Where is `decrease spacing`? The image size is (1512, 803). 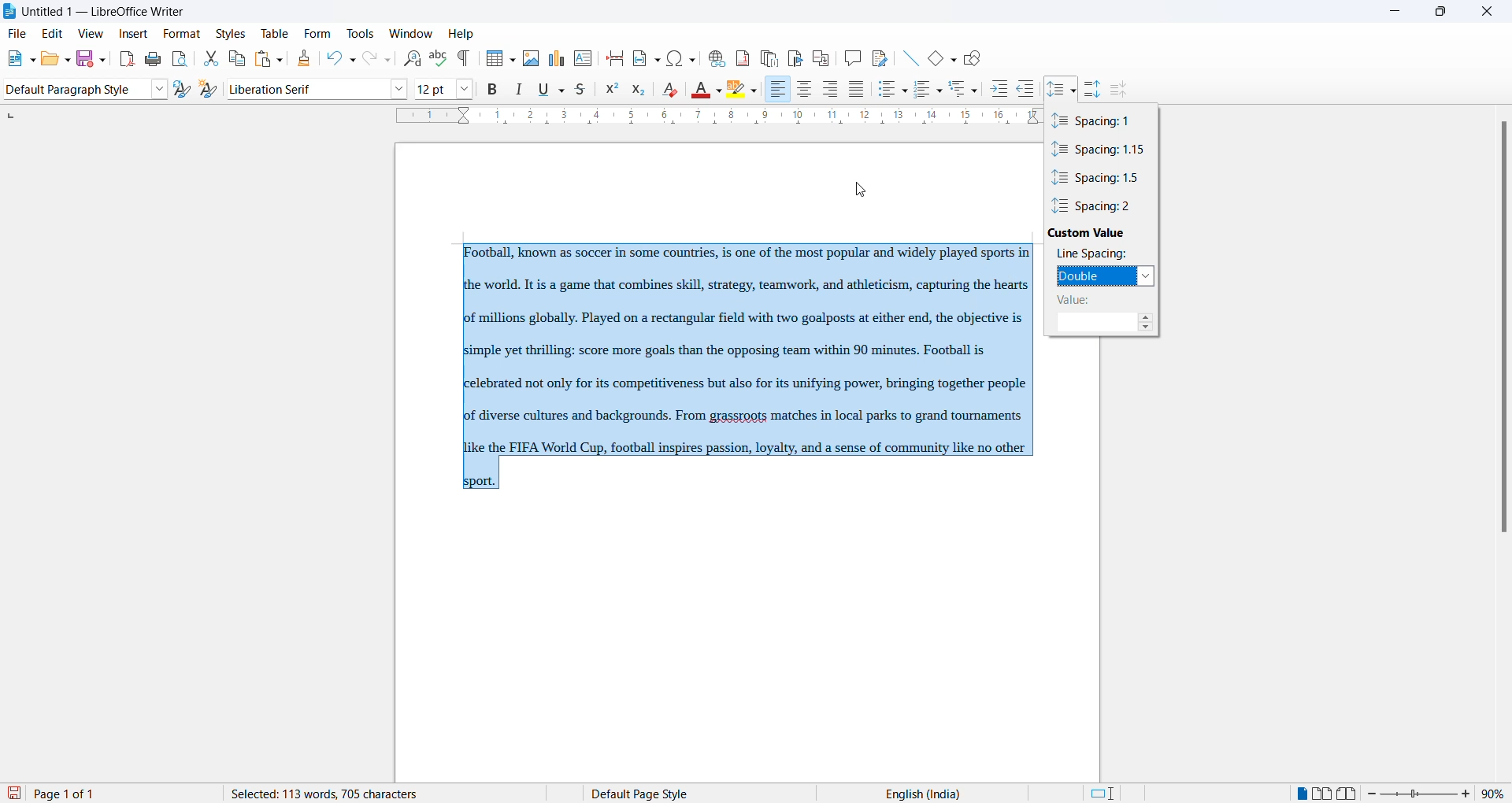 decrease spacing is located at coordinates (1144, 329).